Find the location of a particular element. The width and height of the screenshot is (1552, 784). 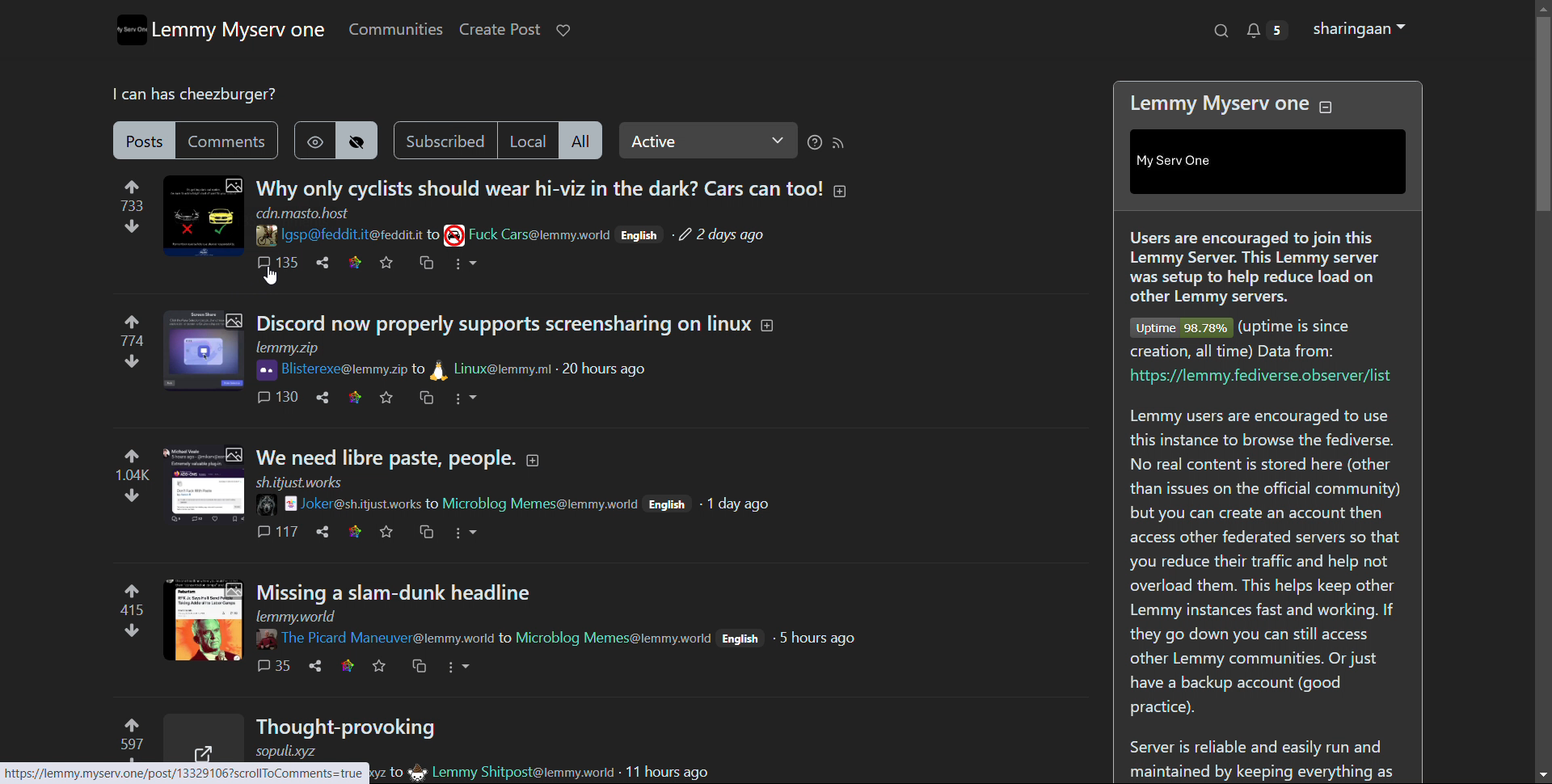

| https://lemmy fediverse.observer/list is located at coordinates (1264, 376).